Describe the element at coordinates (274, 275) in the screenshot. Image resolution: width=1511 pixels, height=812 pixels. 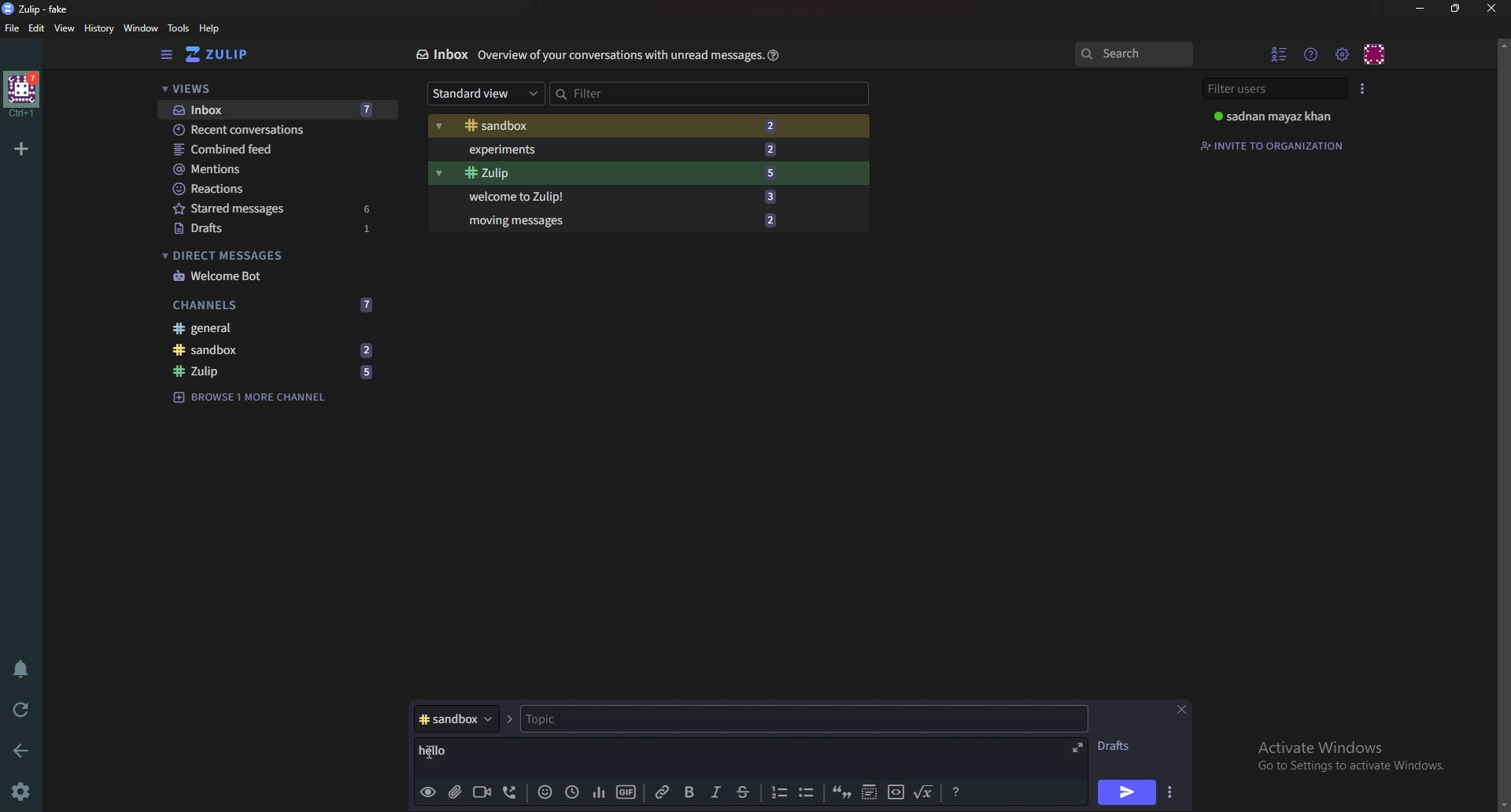
I see `Welcome bot` at that location.